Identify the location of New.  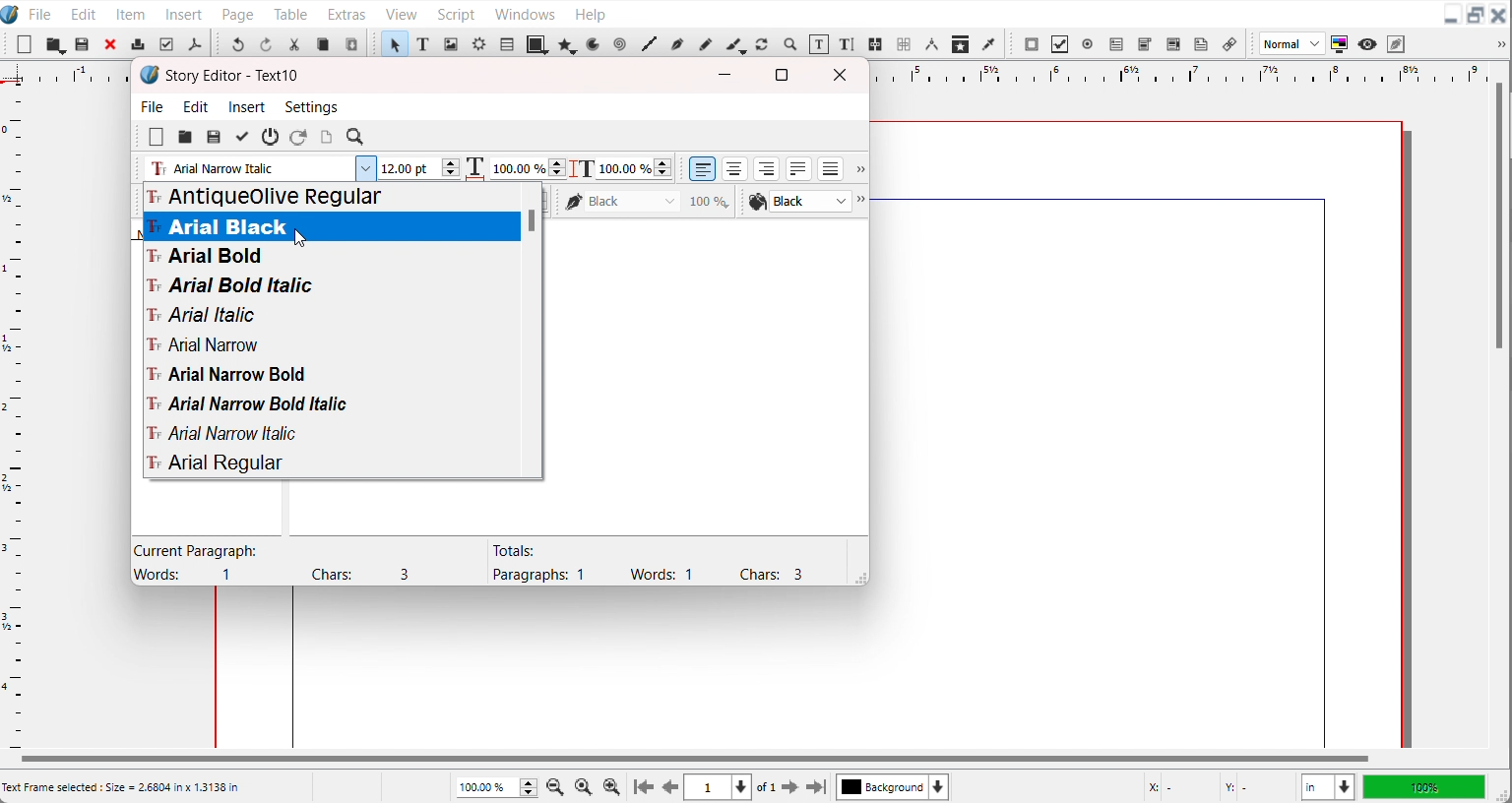
(25, 44).